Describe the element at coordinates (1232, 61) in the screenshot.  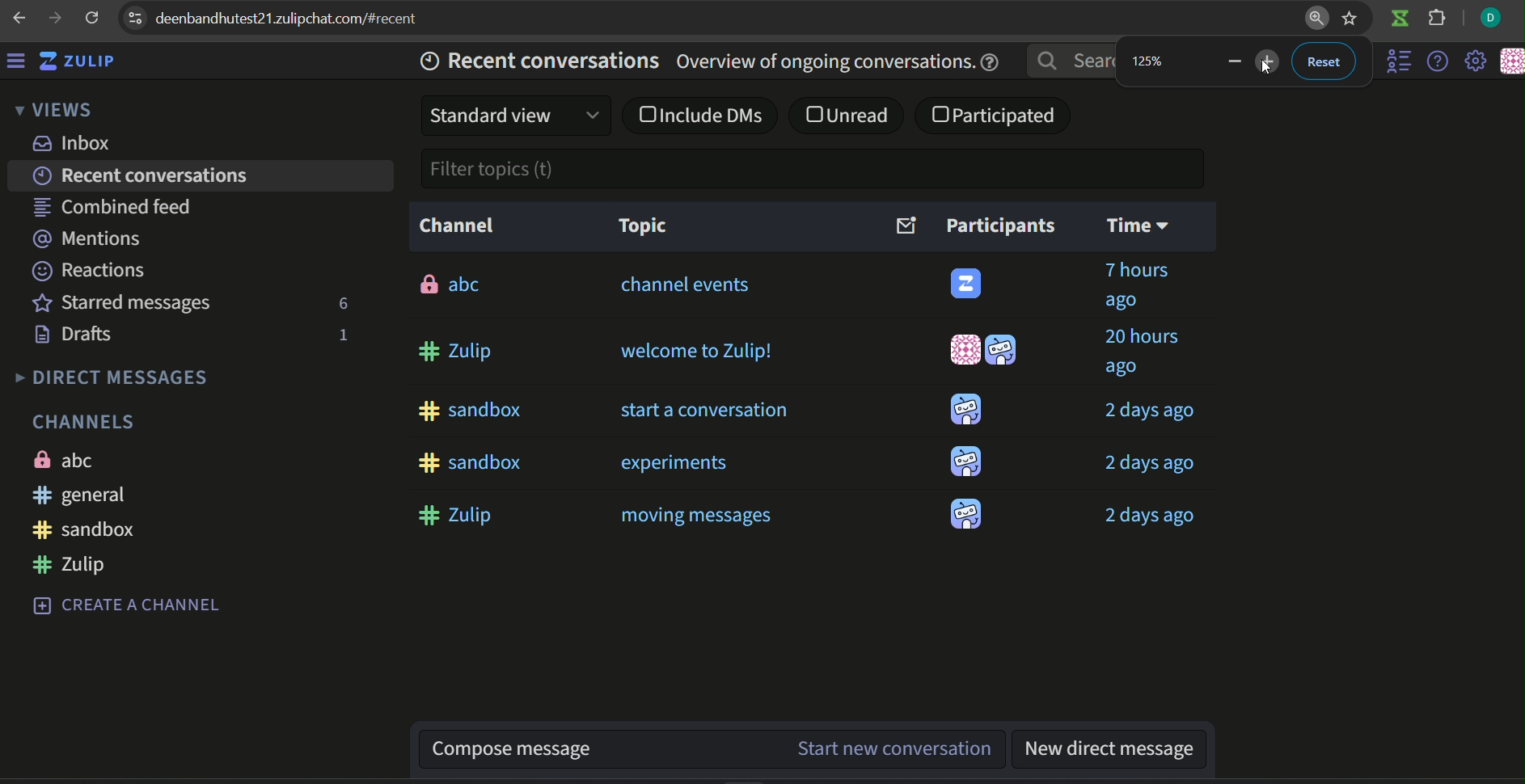
I see `zoom out` at that location.